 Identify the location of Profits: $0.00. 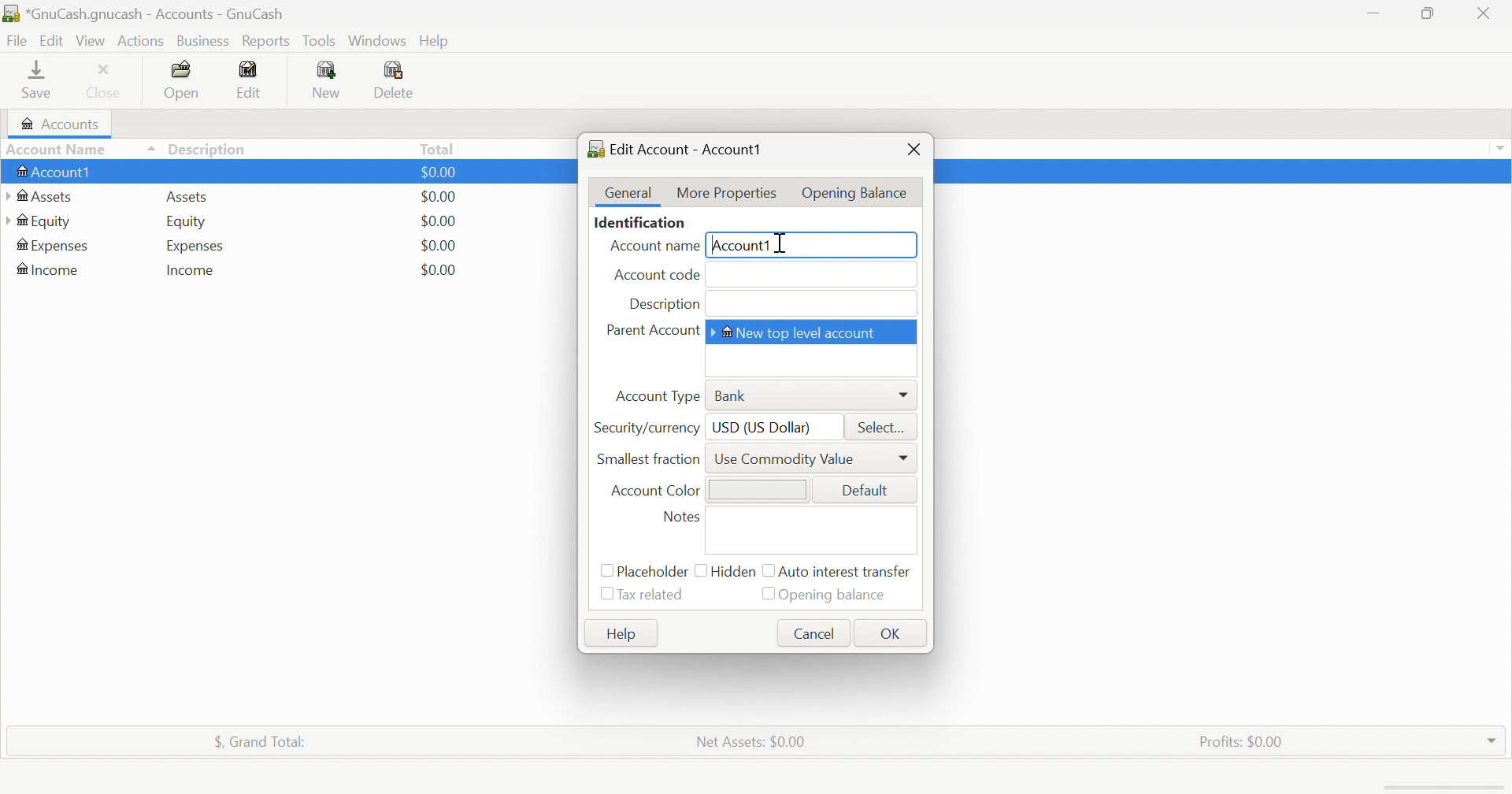
(1242, 741).